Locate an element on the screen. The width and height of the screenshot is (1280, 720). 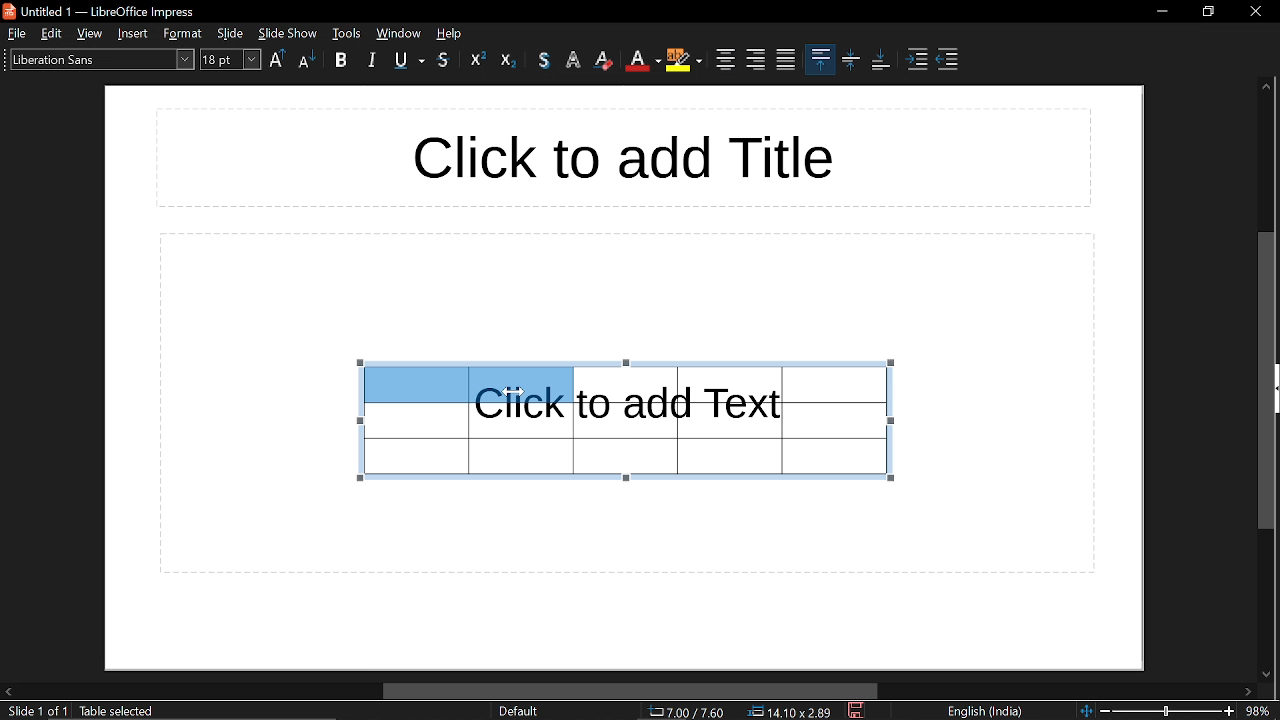
help is located at coordinates (452, 33).